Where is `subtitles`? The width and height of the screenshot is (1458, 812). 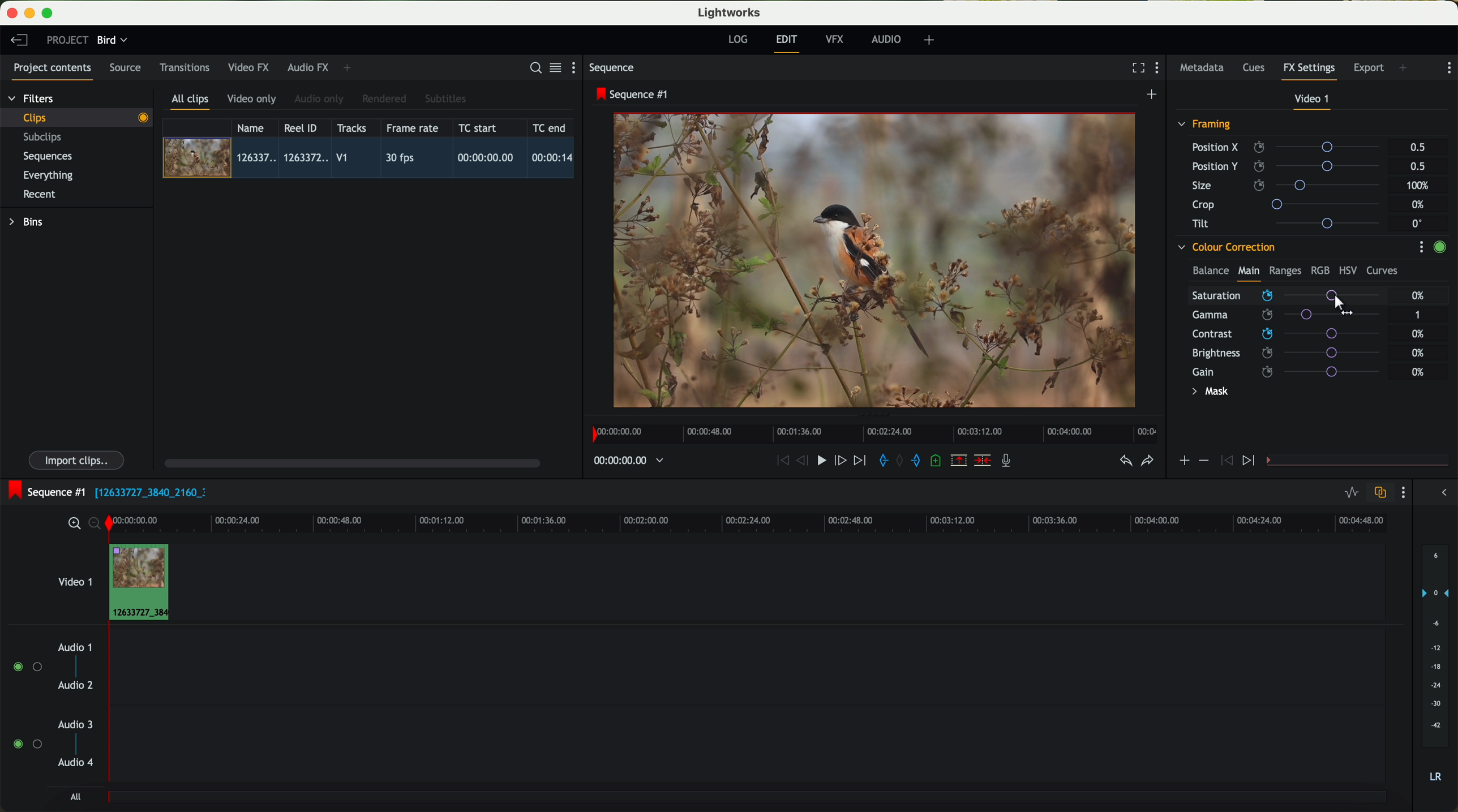
subtitles is located at coordinates (444, 99).